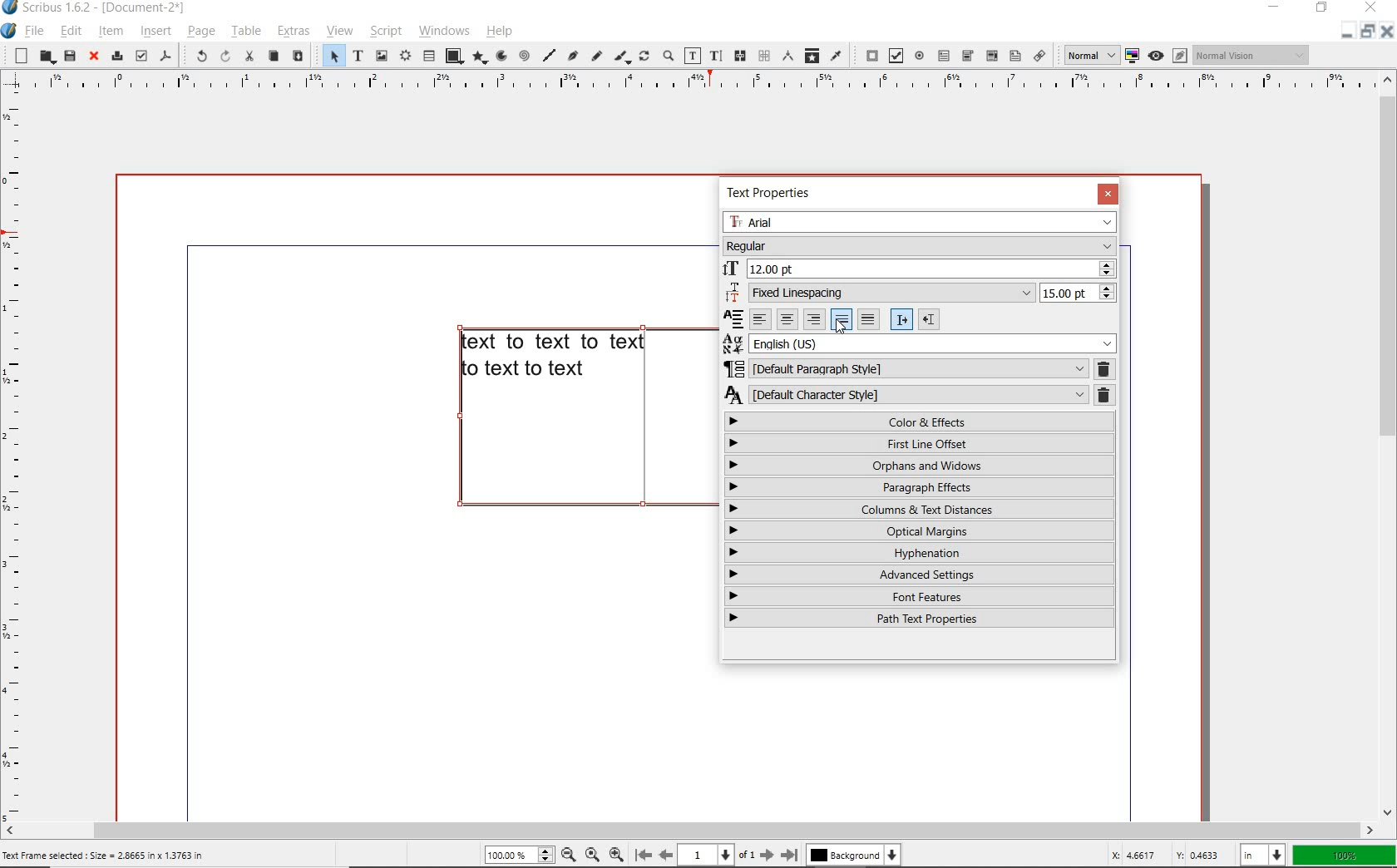 The image size is (1397, 868). Describe the element at coordinates (224, 56) in the screenshot. I see `redo` at that location.